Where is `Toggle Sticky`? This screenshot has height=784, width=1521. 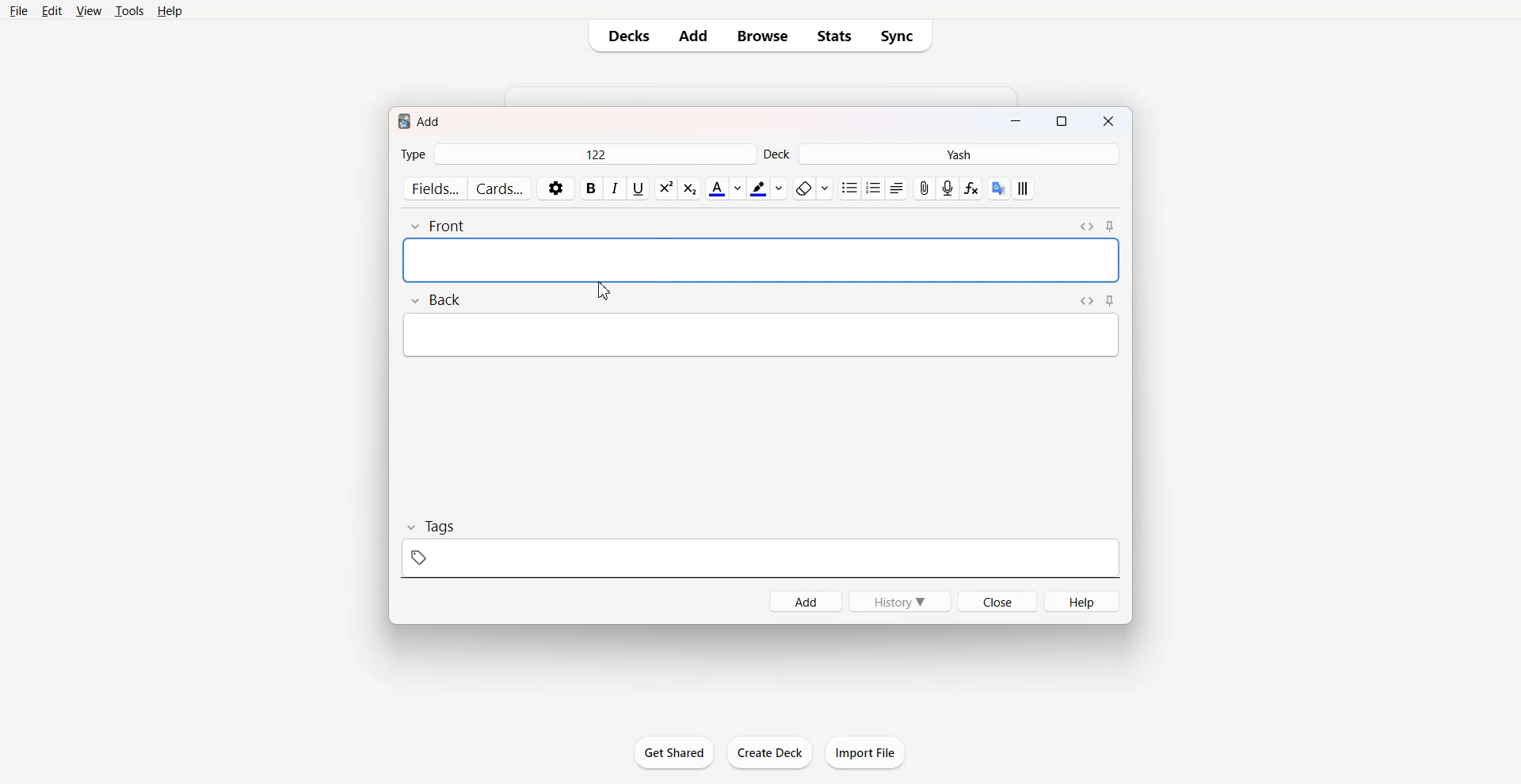
Toggle Sticky is located at coordinates (1111, 300).